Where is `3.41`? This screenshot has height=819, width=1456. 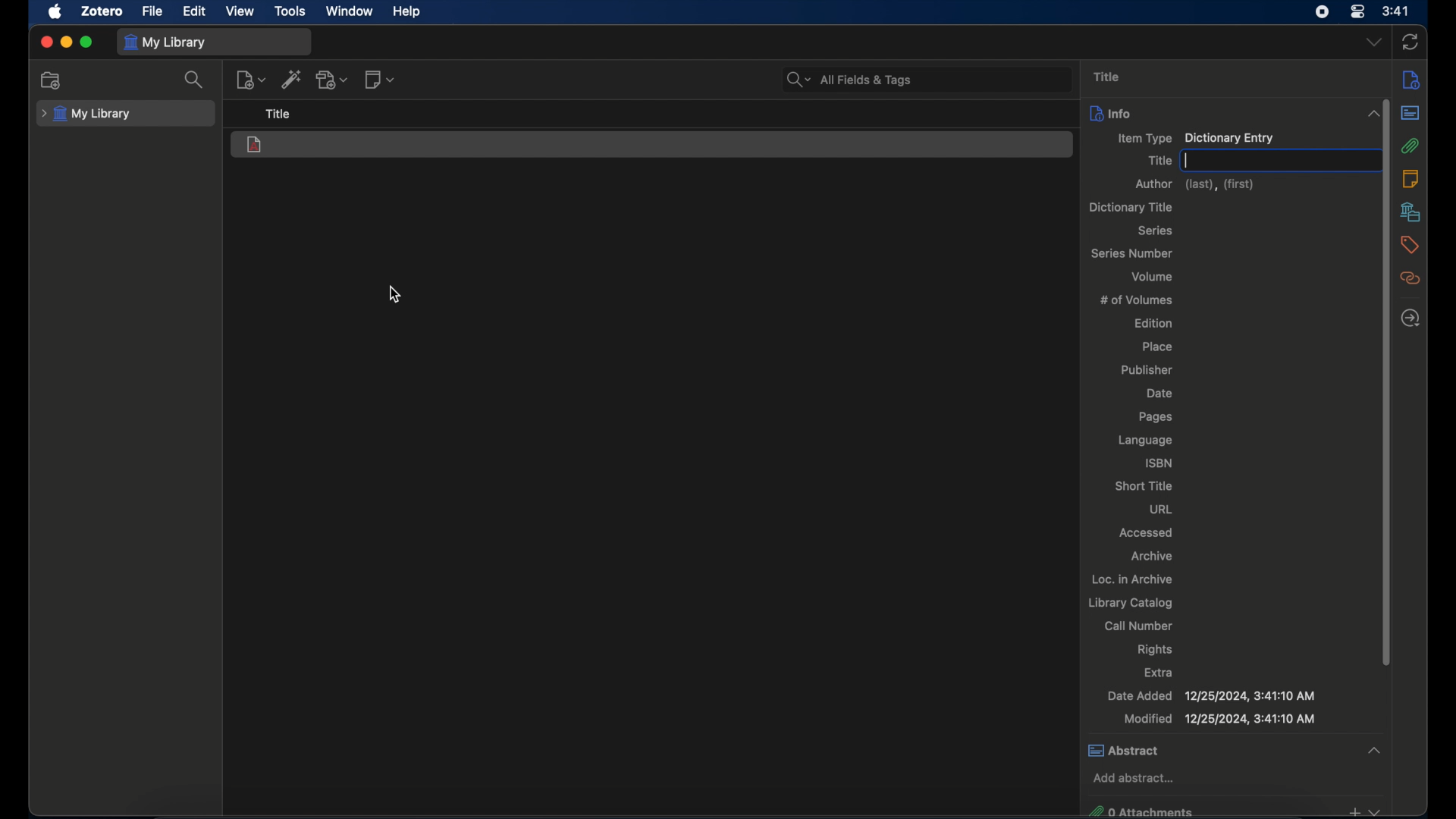 3.41 is located at coordinates (1396, 12).